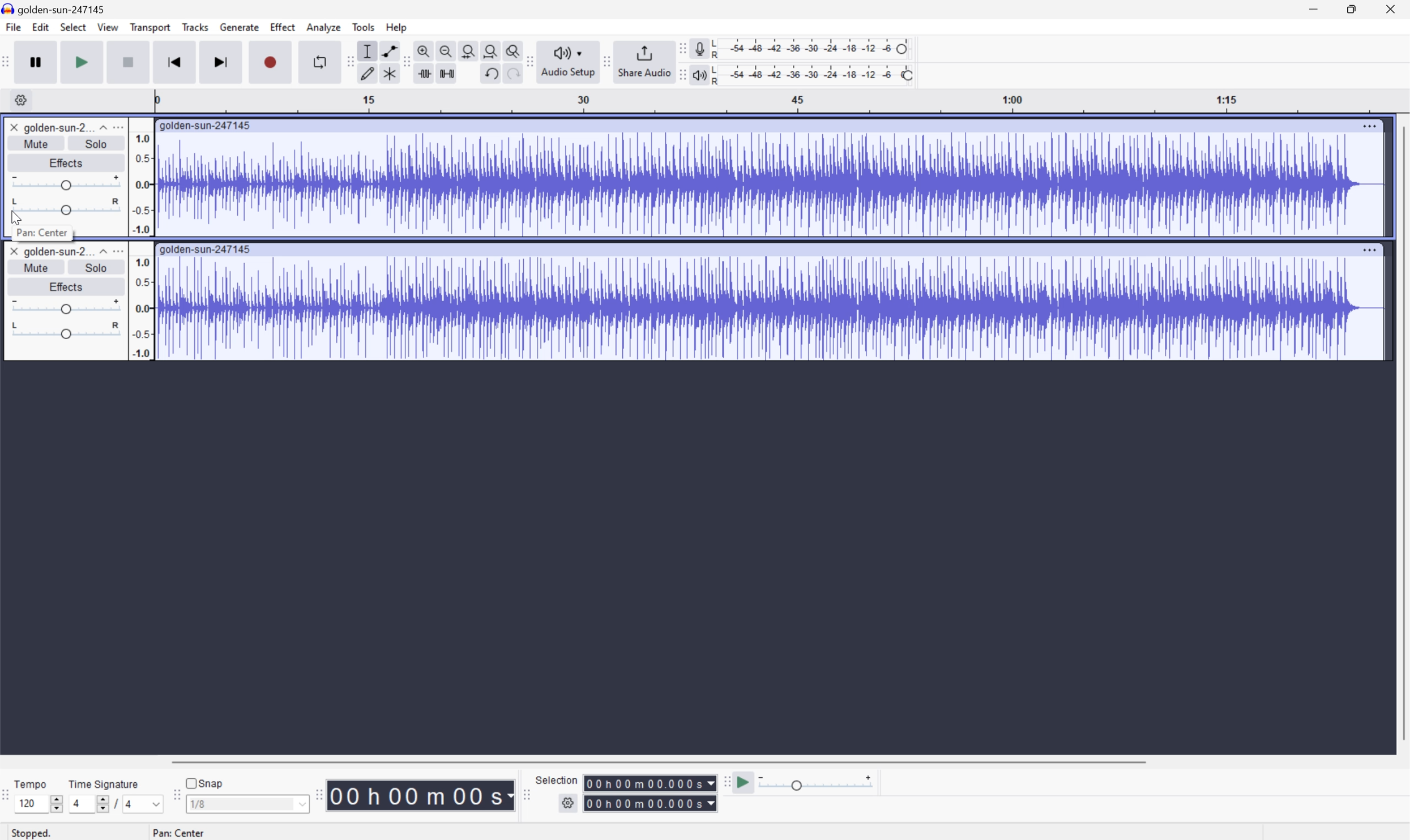  I want to click on Effects, so click(63, 286).